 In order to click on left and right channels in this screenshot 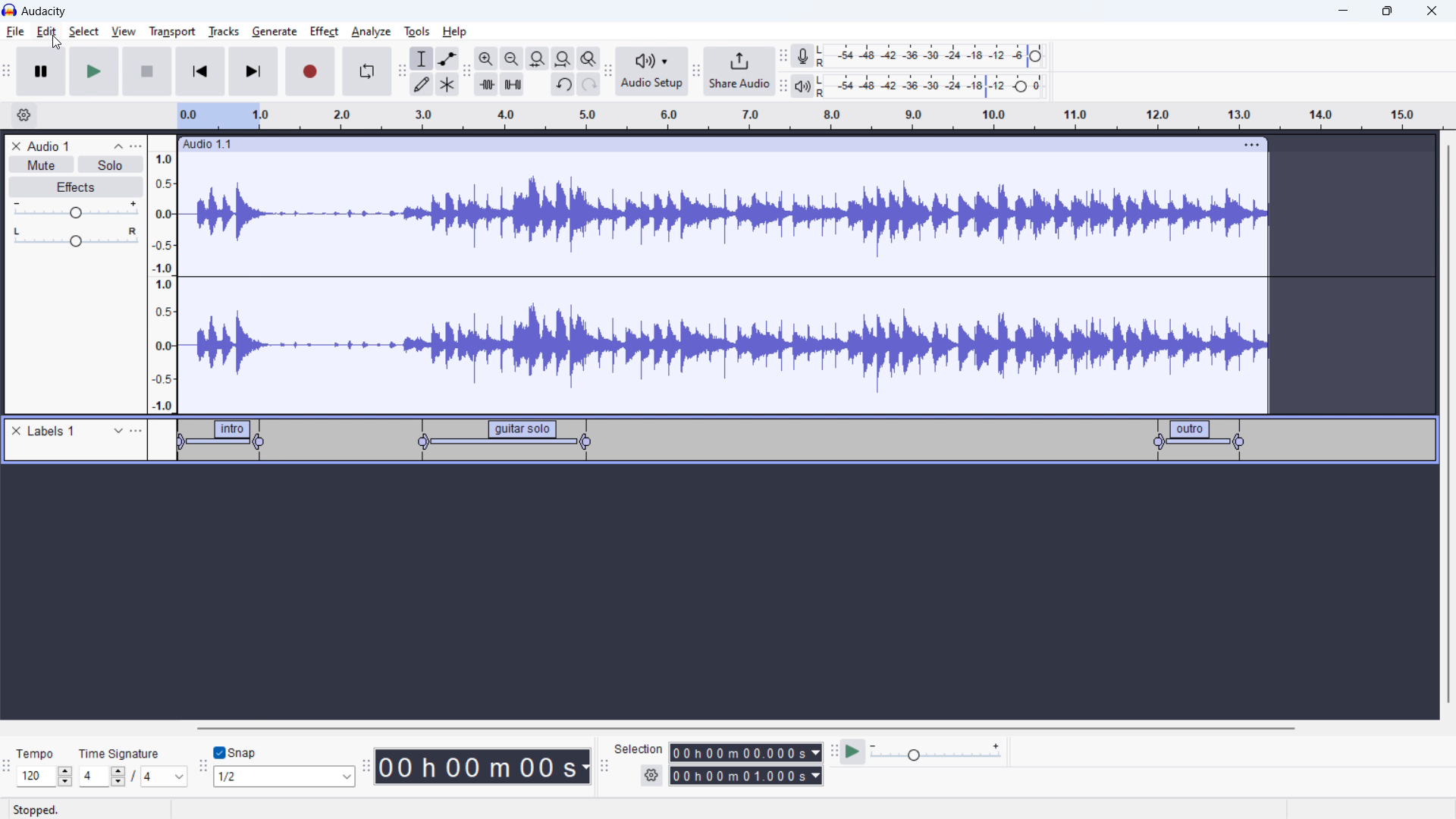, I will do `click(824, 58)`.